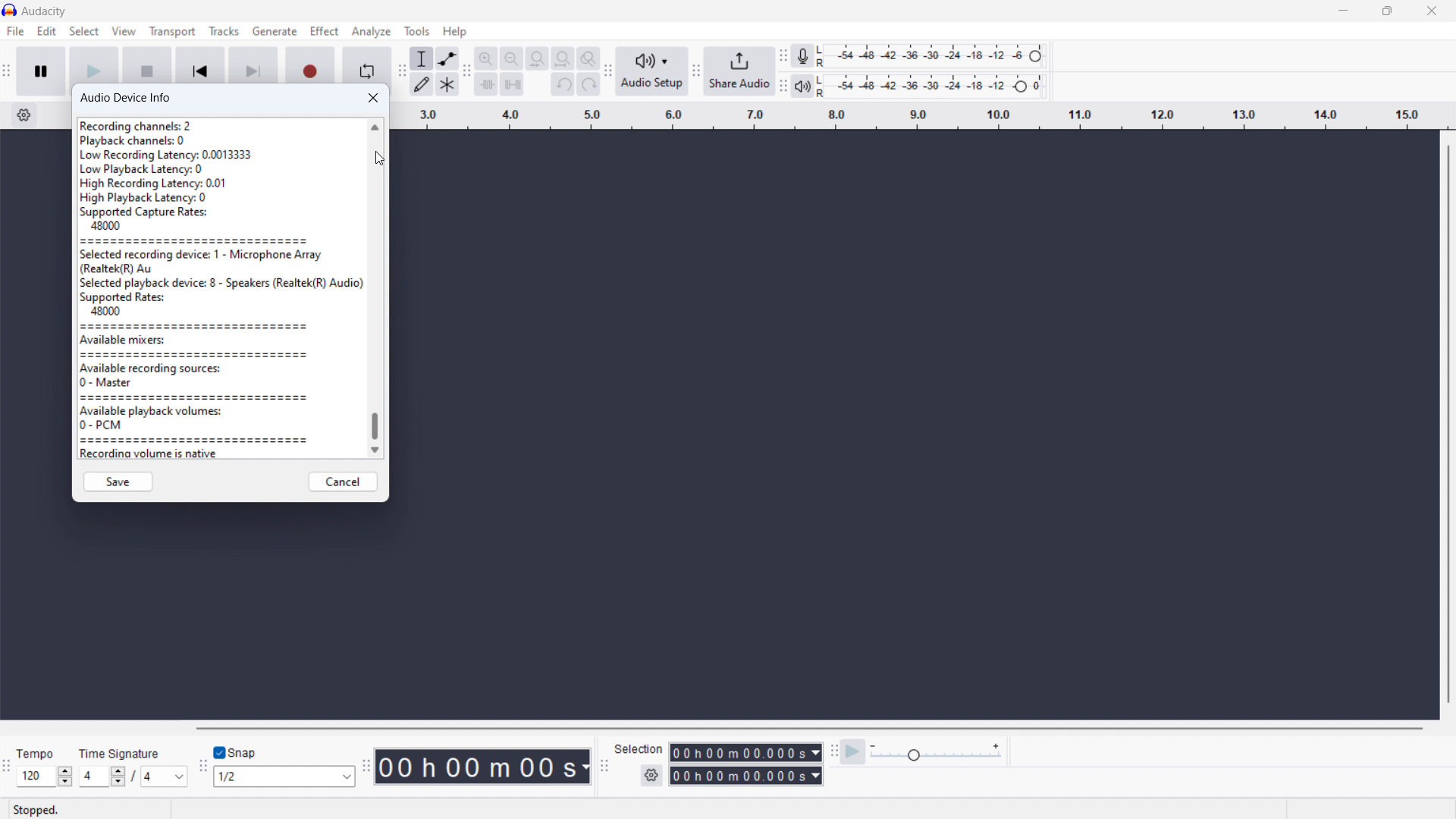  Describe the element at coordinates (1339, 11) in the screenshot. I see `minimize` at that location.